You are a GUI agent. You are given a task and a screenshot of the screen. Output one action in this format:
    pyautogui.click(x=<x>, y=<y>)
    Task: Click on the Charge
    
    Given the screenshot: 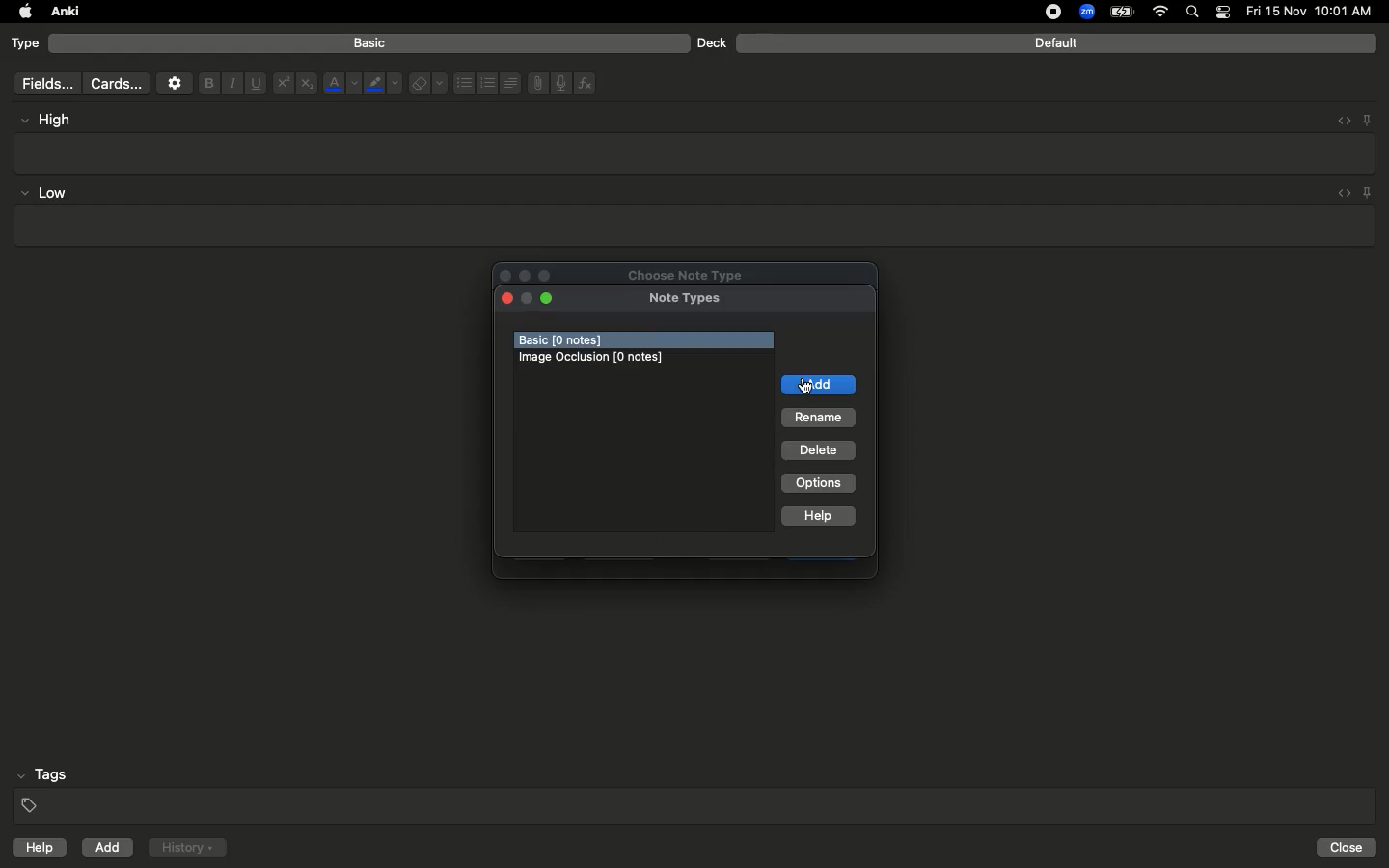 What is the action you would take?
    pyautogui.click(x=1121, y=12)
    